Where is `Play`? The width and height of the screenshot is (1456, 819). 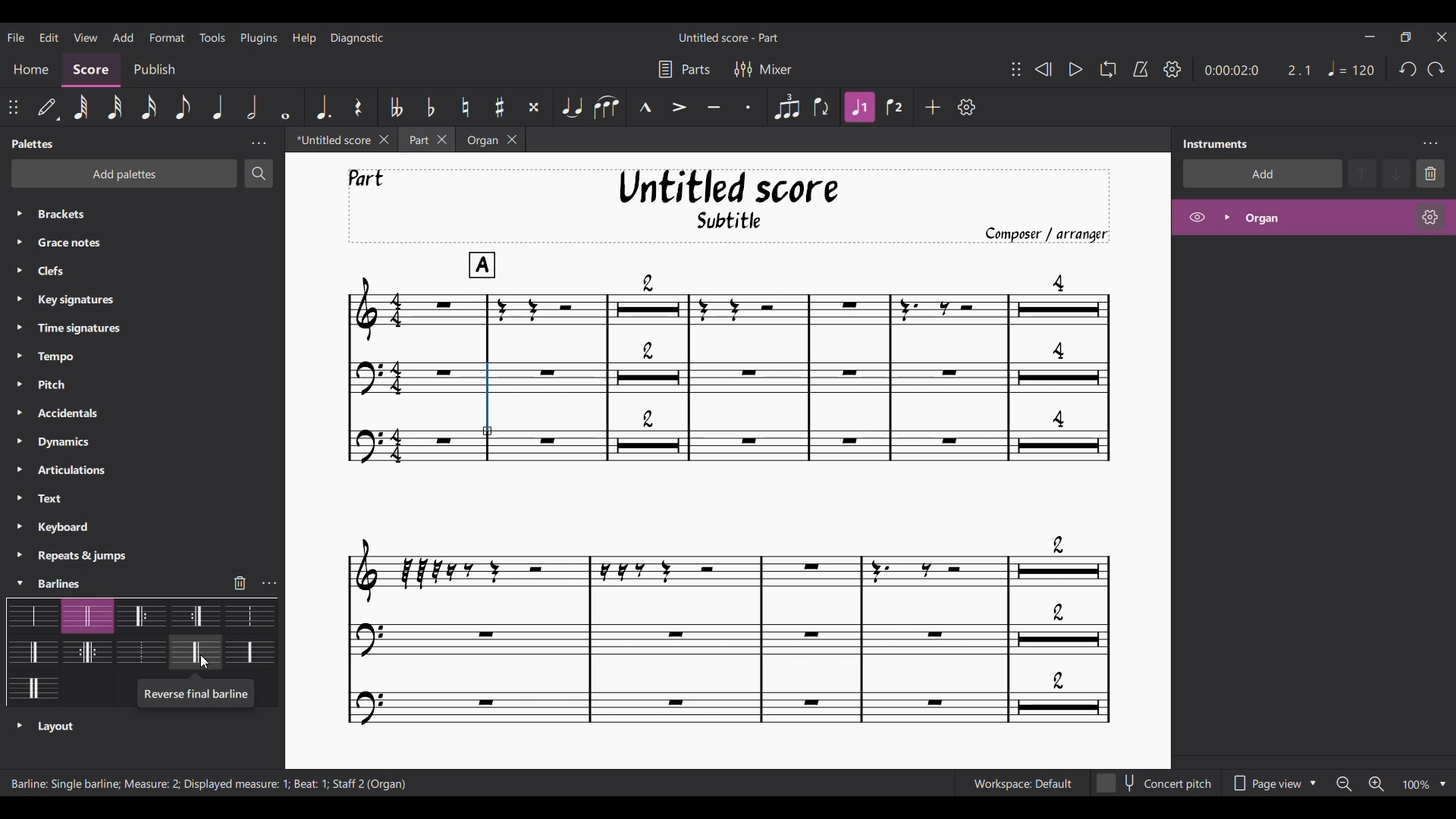
Play is located at coordinates (1075, 69).